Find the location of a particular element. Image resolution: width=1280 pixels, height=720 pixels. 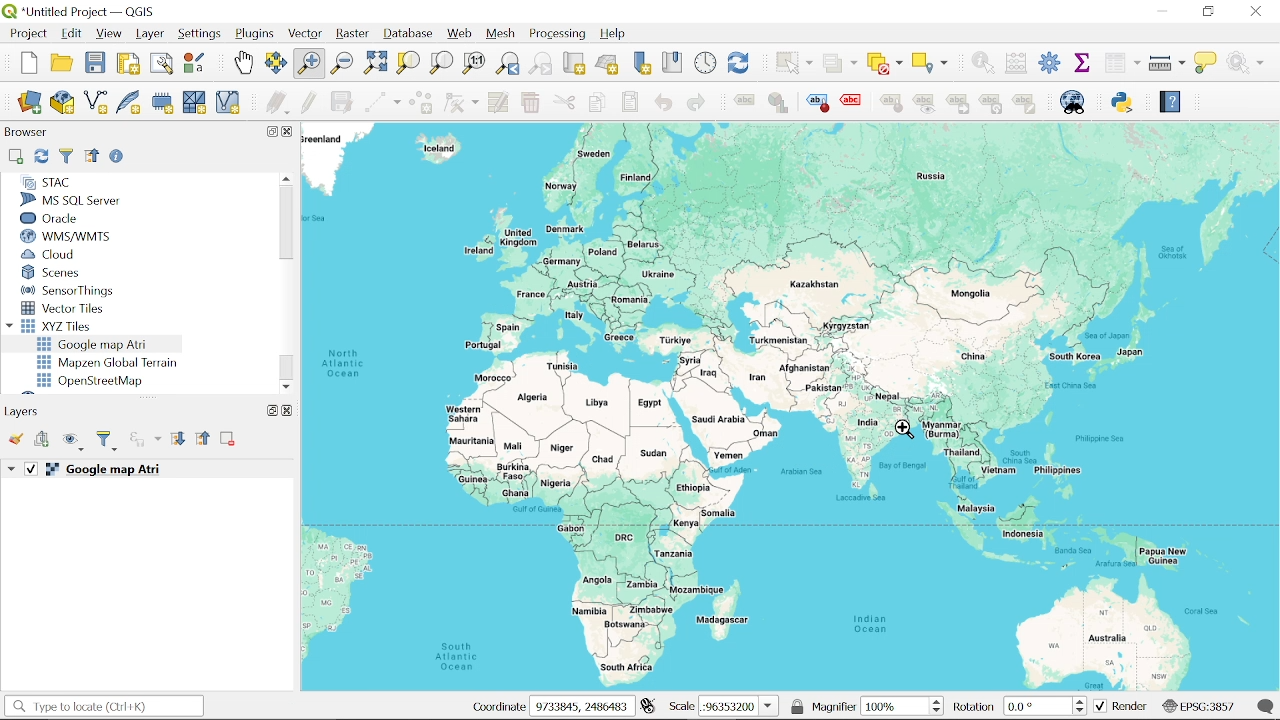

Mapzen Global Terrain is located at coordinates (107, 363).